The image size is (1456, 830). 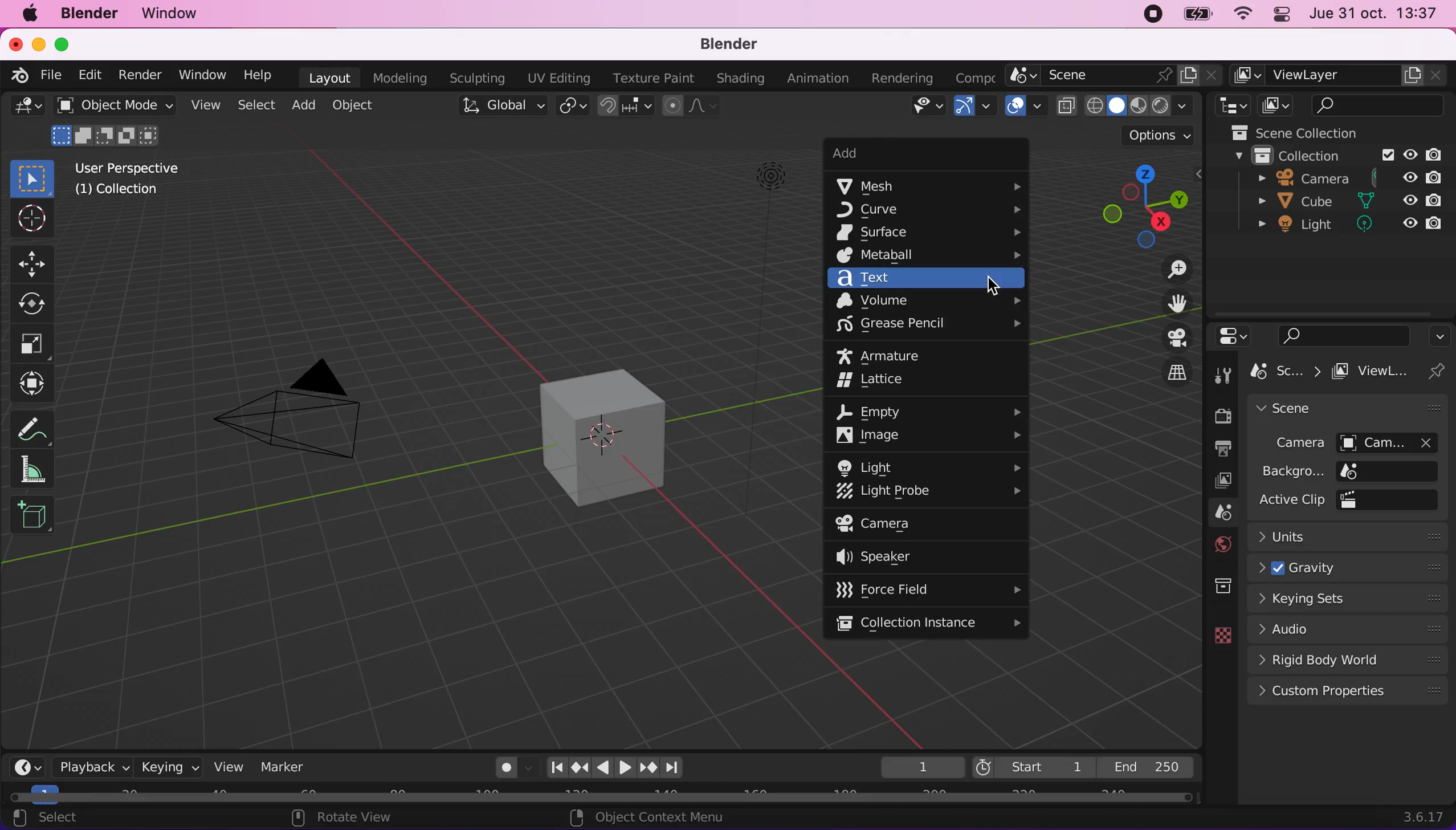 What do you see at coordinates (1345, 224) in the screenshot?
I see `light` at bounding box center [1345, 224].